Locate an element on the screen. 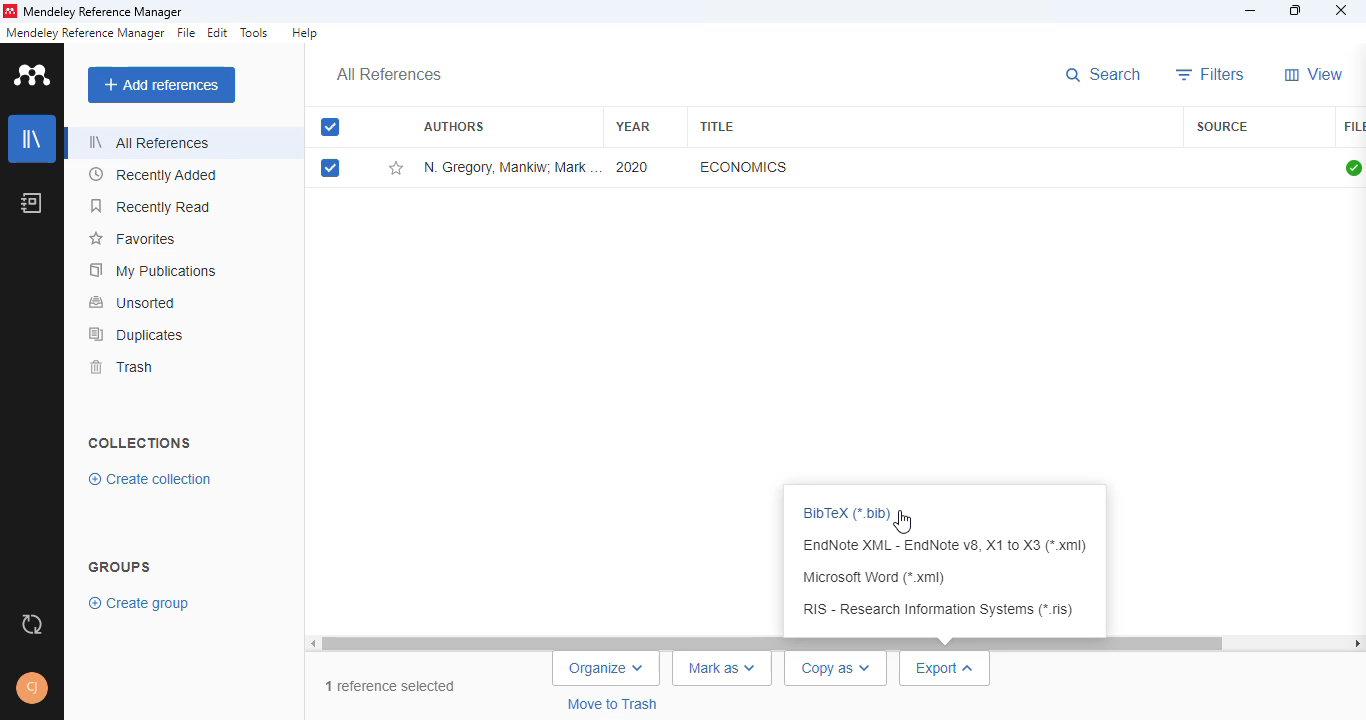 This screenshot has height=720, width=1366. my publications is located at coordinates (154, 270).